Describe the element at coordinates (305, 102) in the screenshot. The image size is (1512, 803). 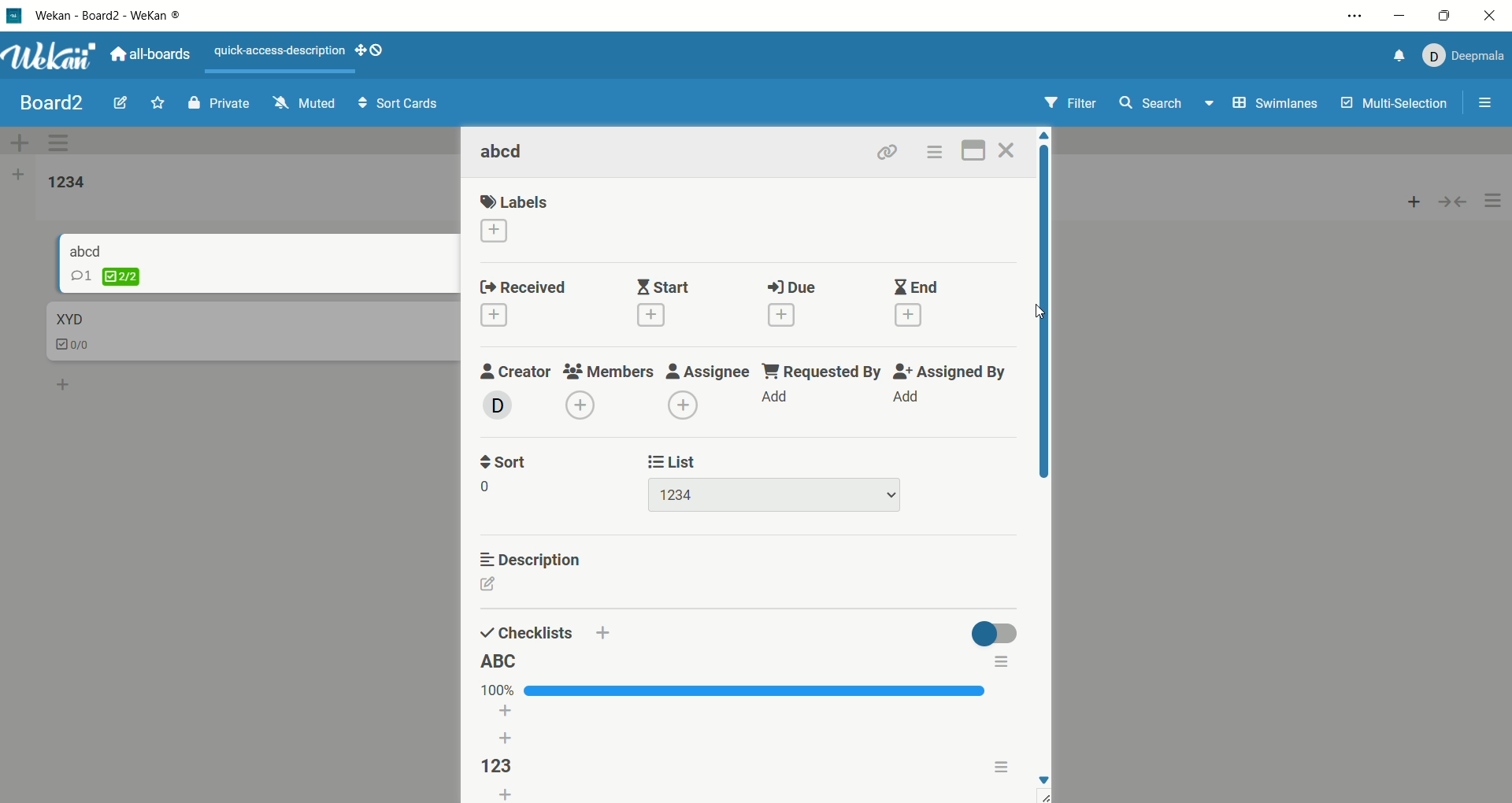
I see `muted` at that location.